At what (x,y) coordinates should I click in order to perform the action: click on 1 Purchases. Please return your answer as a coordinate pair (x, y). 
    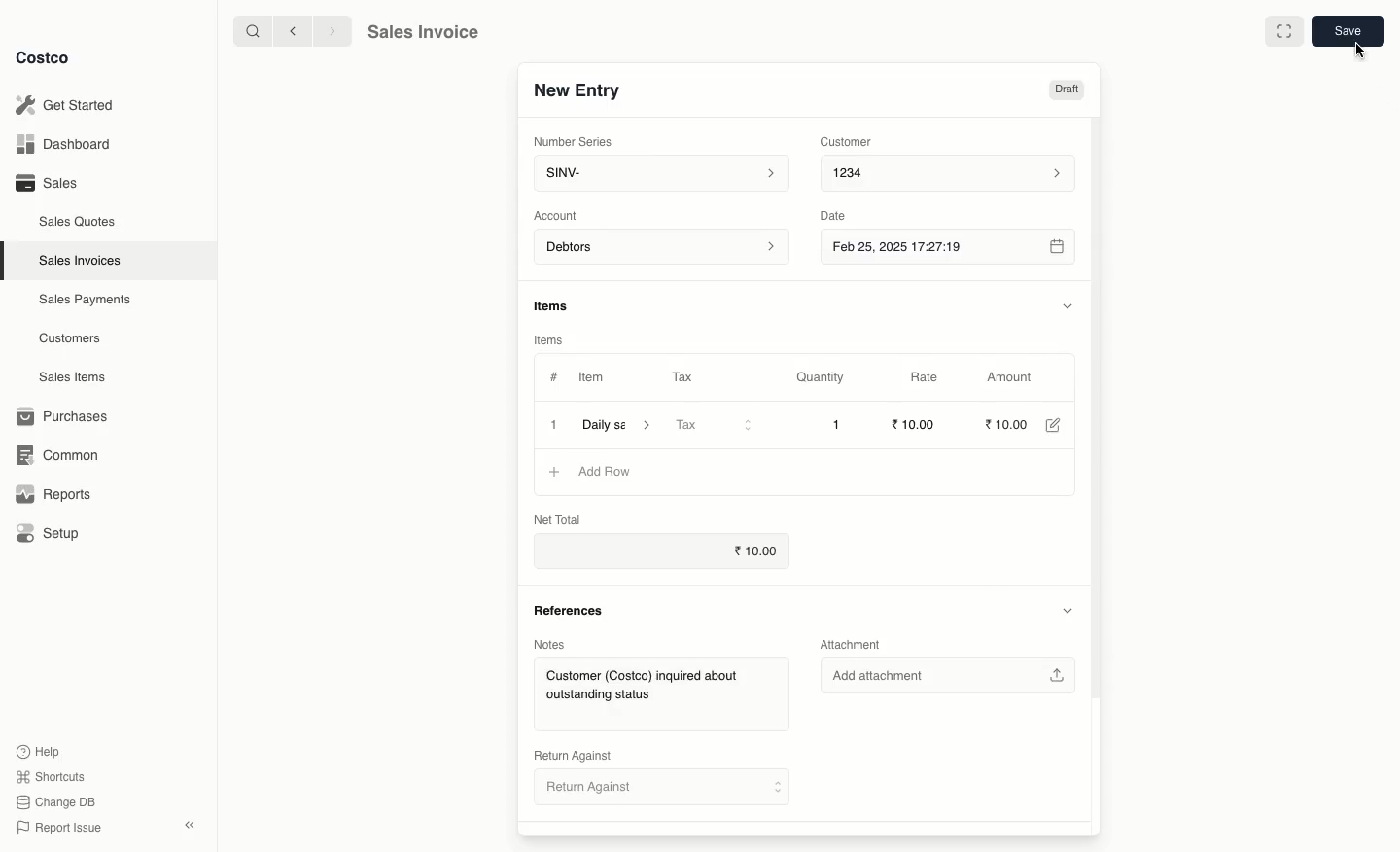
    Looking at the image, I should click on (67, 417).